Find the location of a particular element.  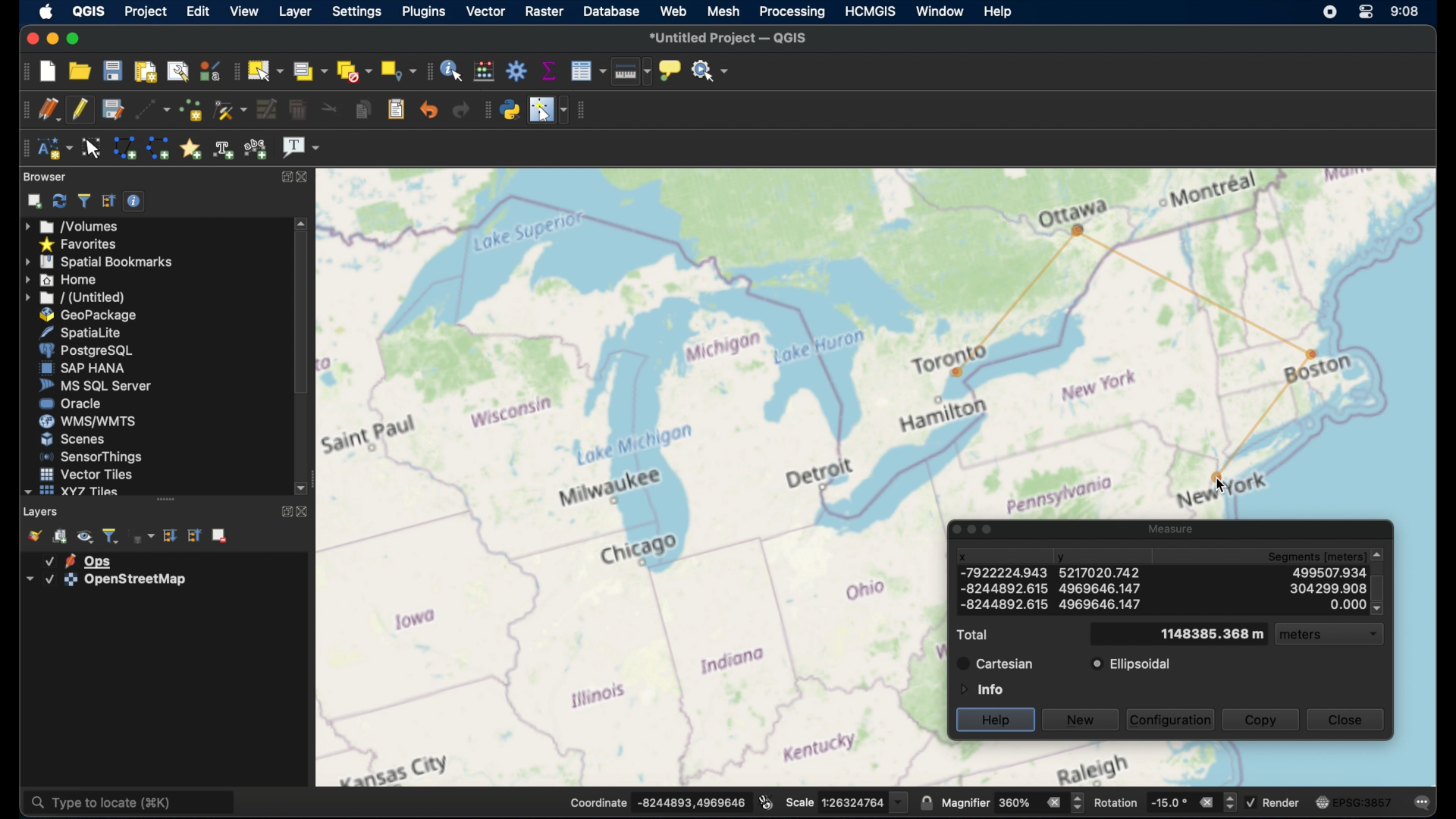

create line annotation is located at coordinates (158, 148).